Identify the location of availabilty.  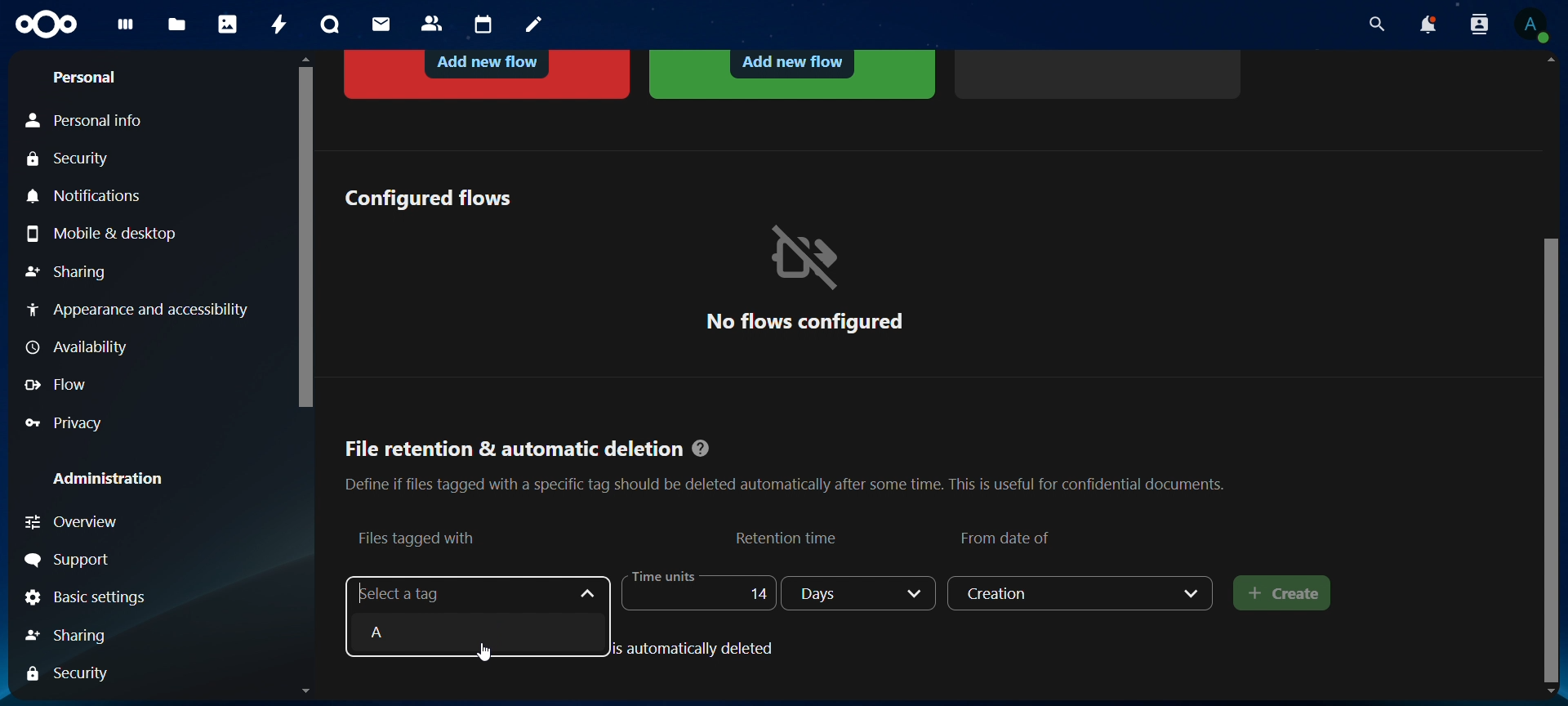
(81, 349).